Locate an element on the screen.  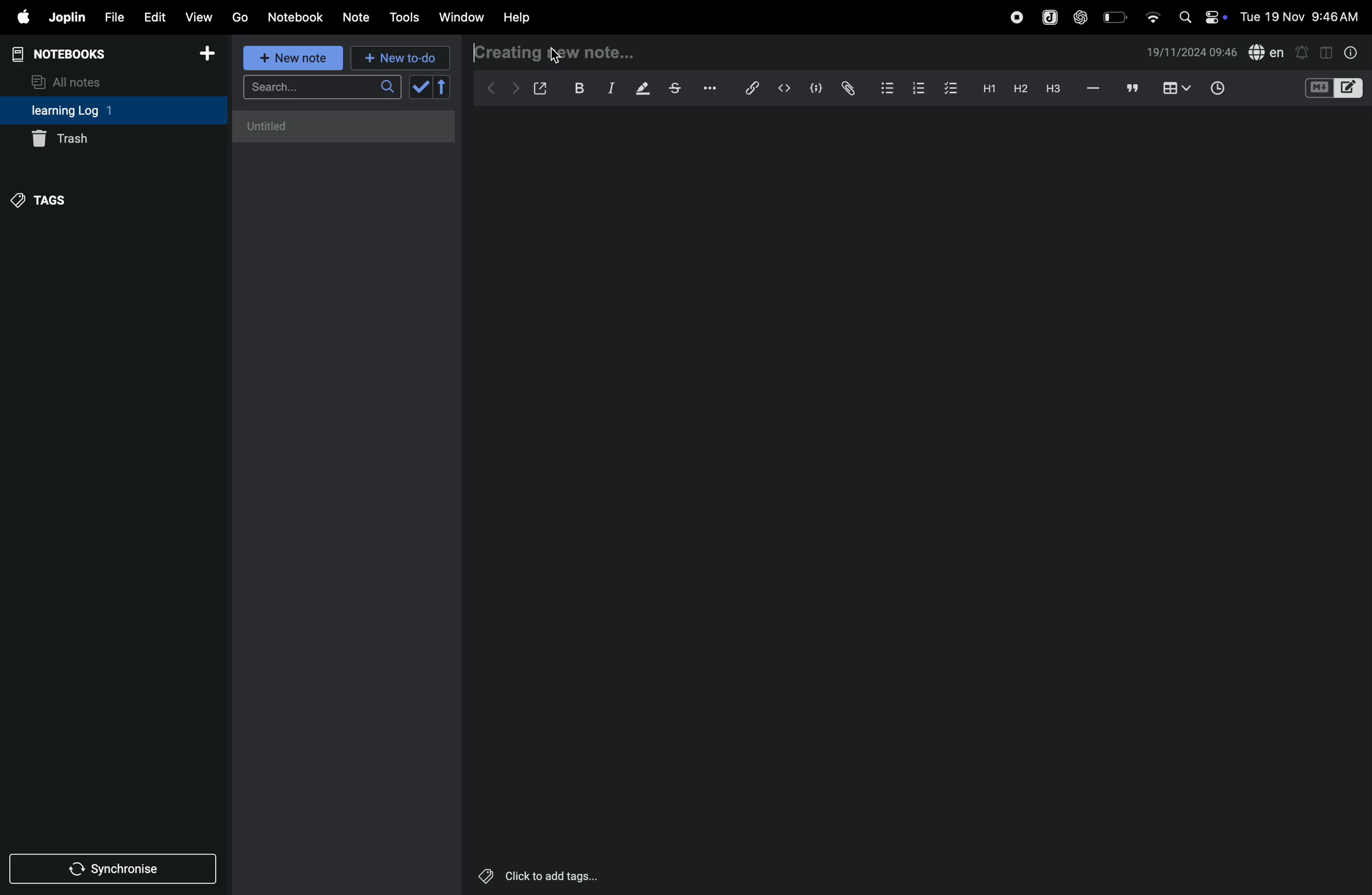
date and time is located at coordinates (1303, 16).